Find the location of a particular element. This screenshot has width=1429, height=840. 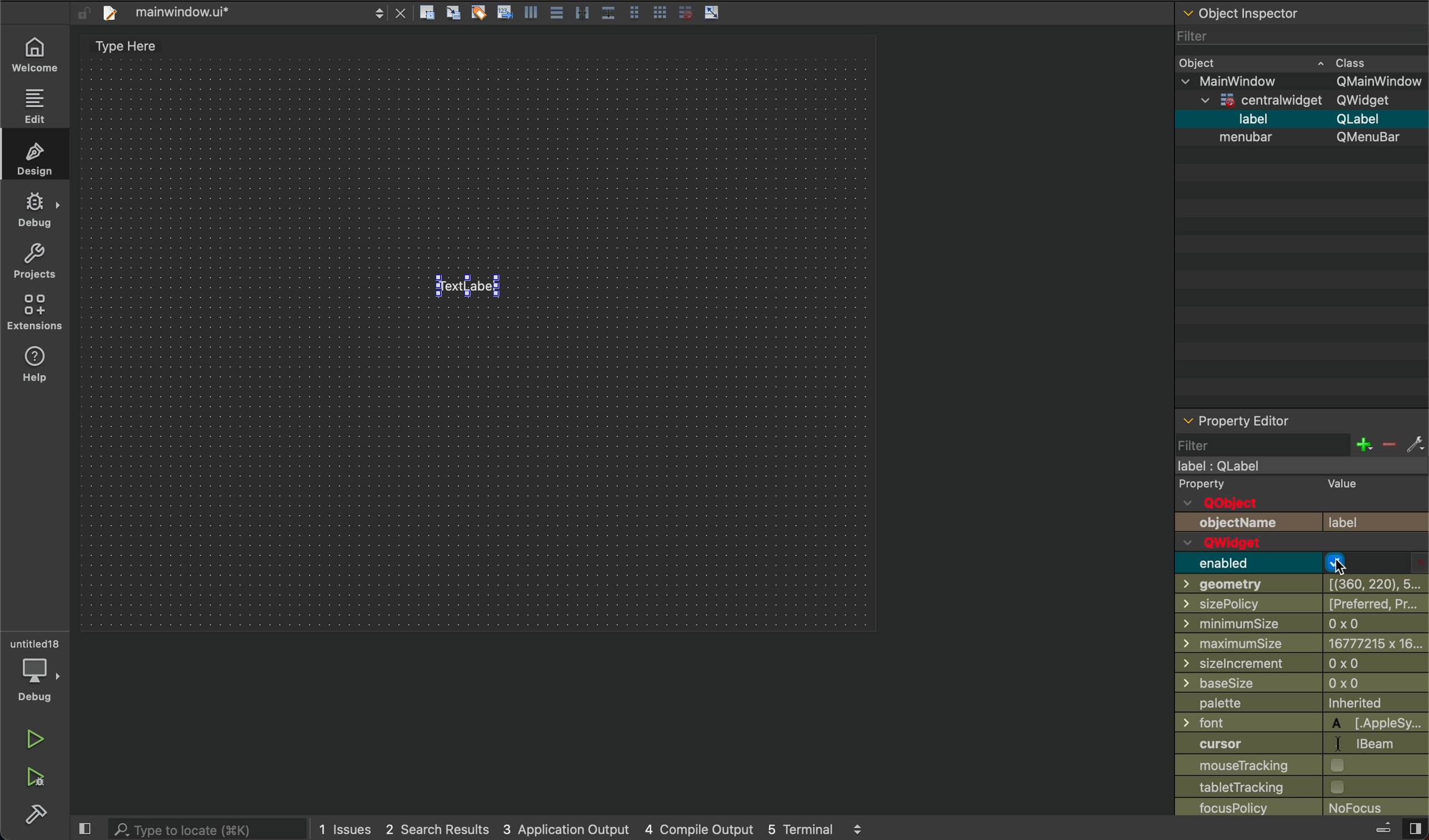

label : Qlabel is located at coordinates (1220, 467).